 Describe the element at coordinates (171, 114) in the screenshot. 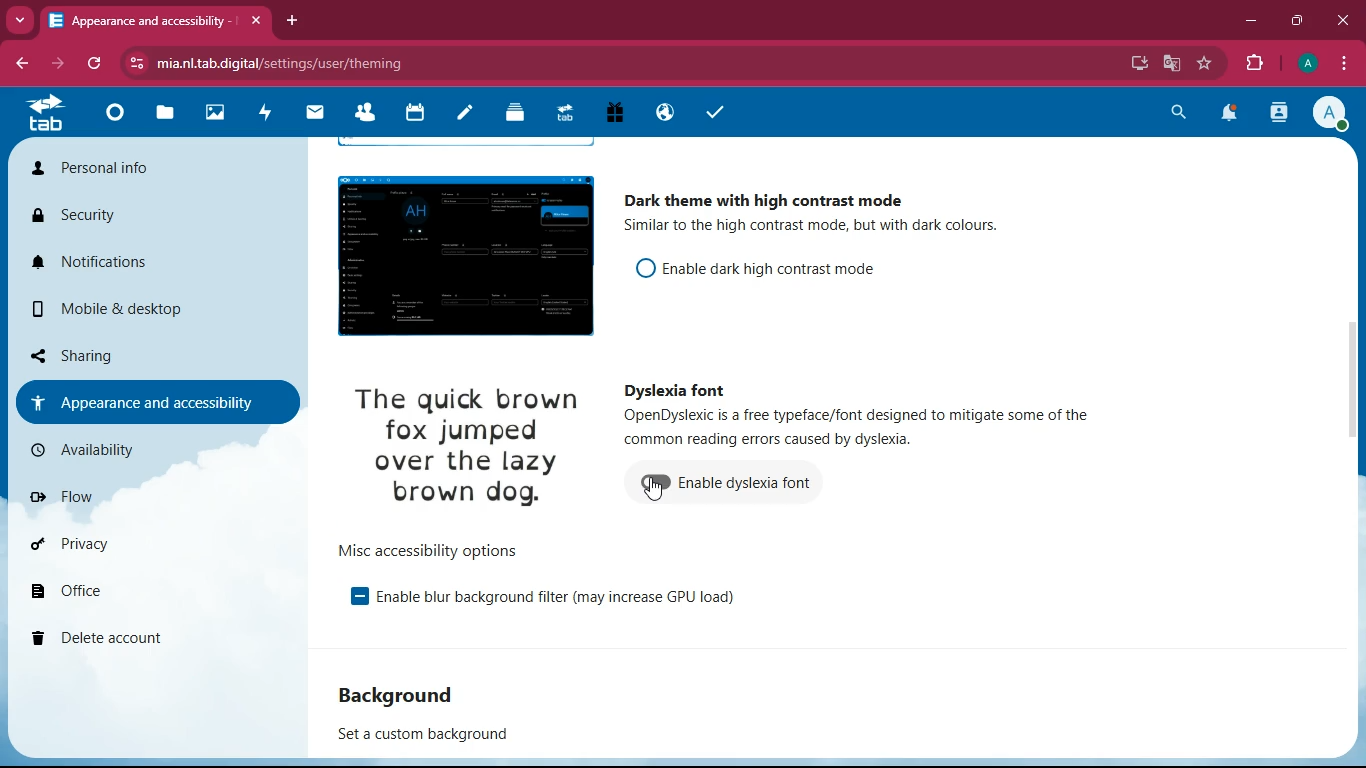

I see `files` at that location.